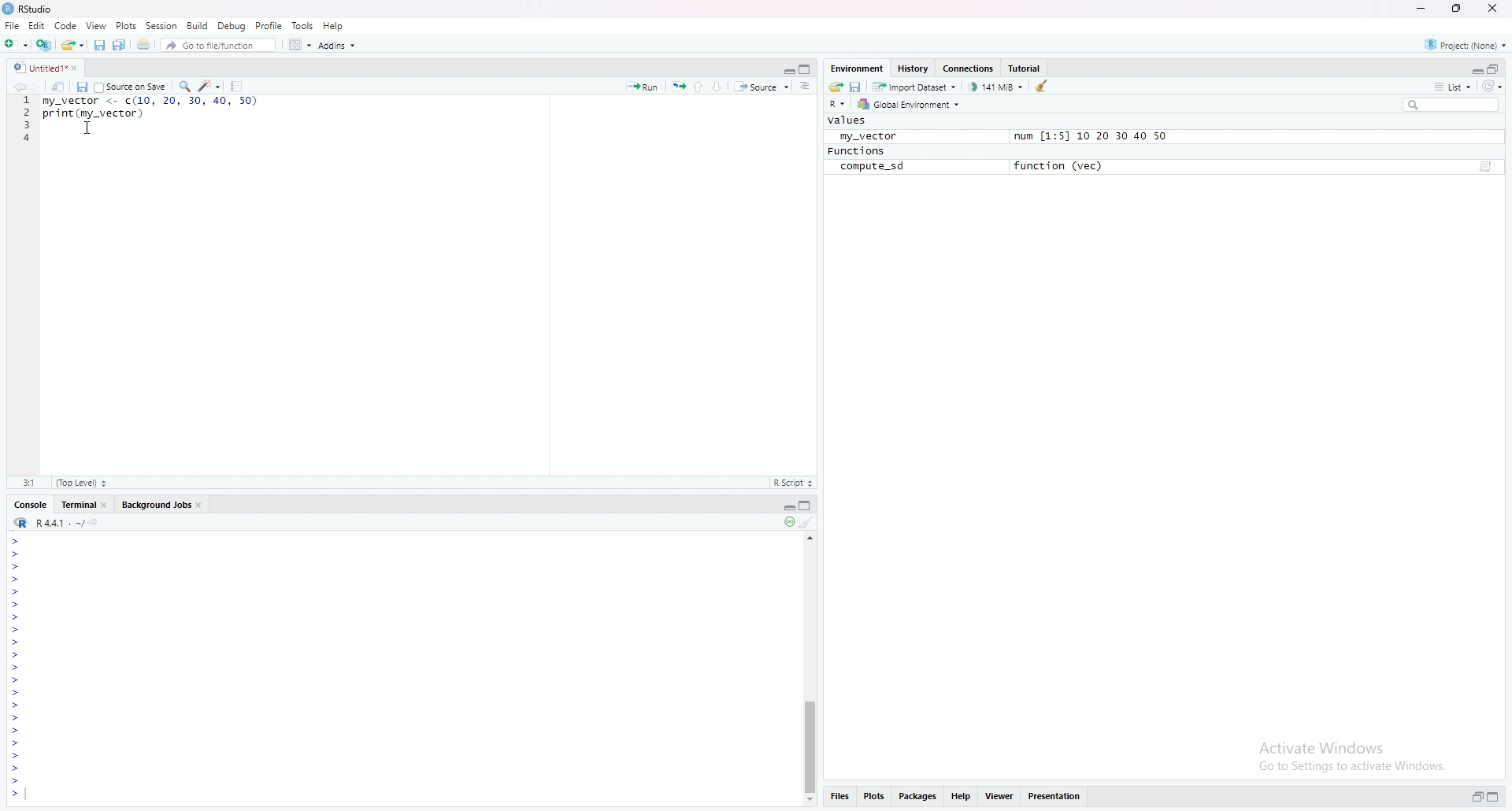  Describe the element at coordinates (126, 25) in the screenshot. I see `Plots` at that location.